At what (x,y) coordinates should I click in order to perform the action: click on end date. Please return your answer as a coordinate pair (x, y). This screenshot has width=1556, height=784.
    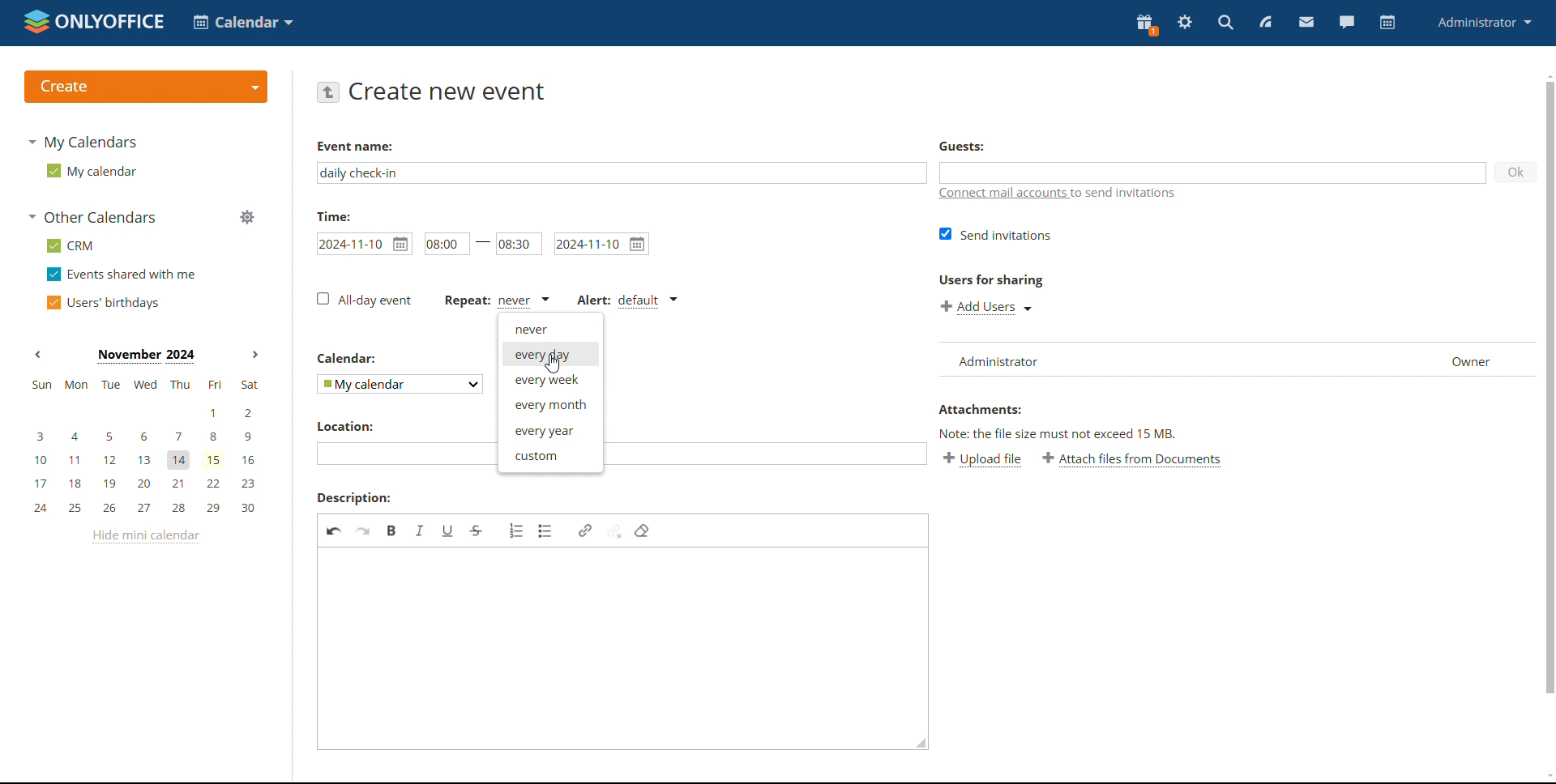
    Looking at the image, I should click on (601, 244).